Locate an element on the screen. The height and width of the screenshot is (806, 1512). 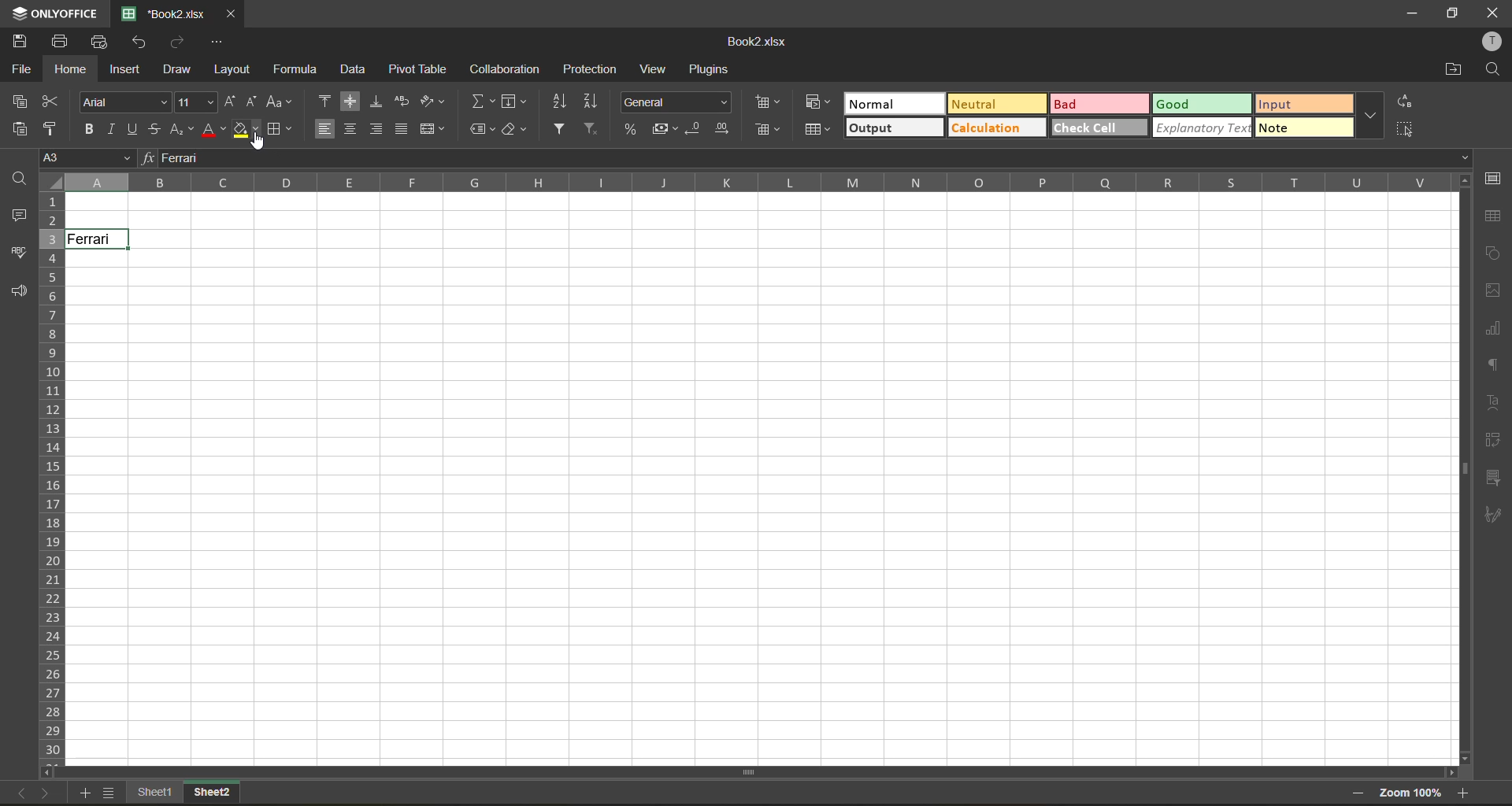
select all is located at coordinates (1409, 130).